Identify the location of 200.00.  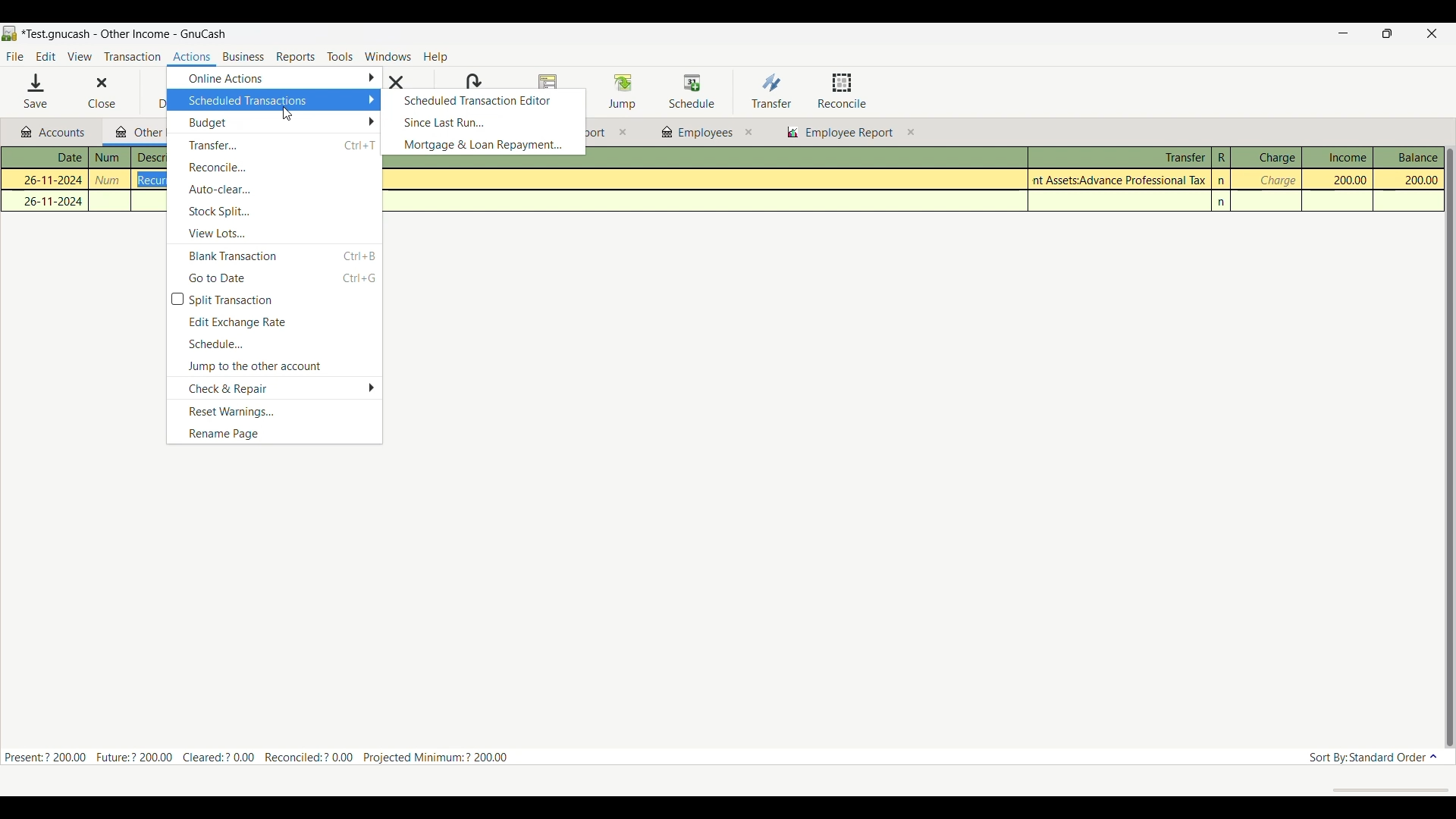
(1342, 180).